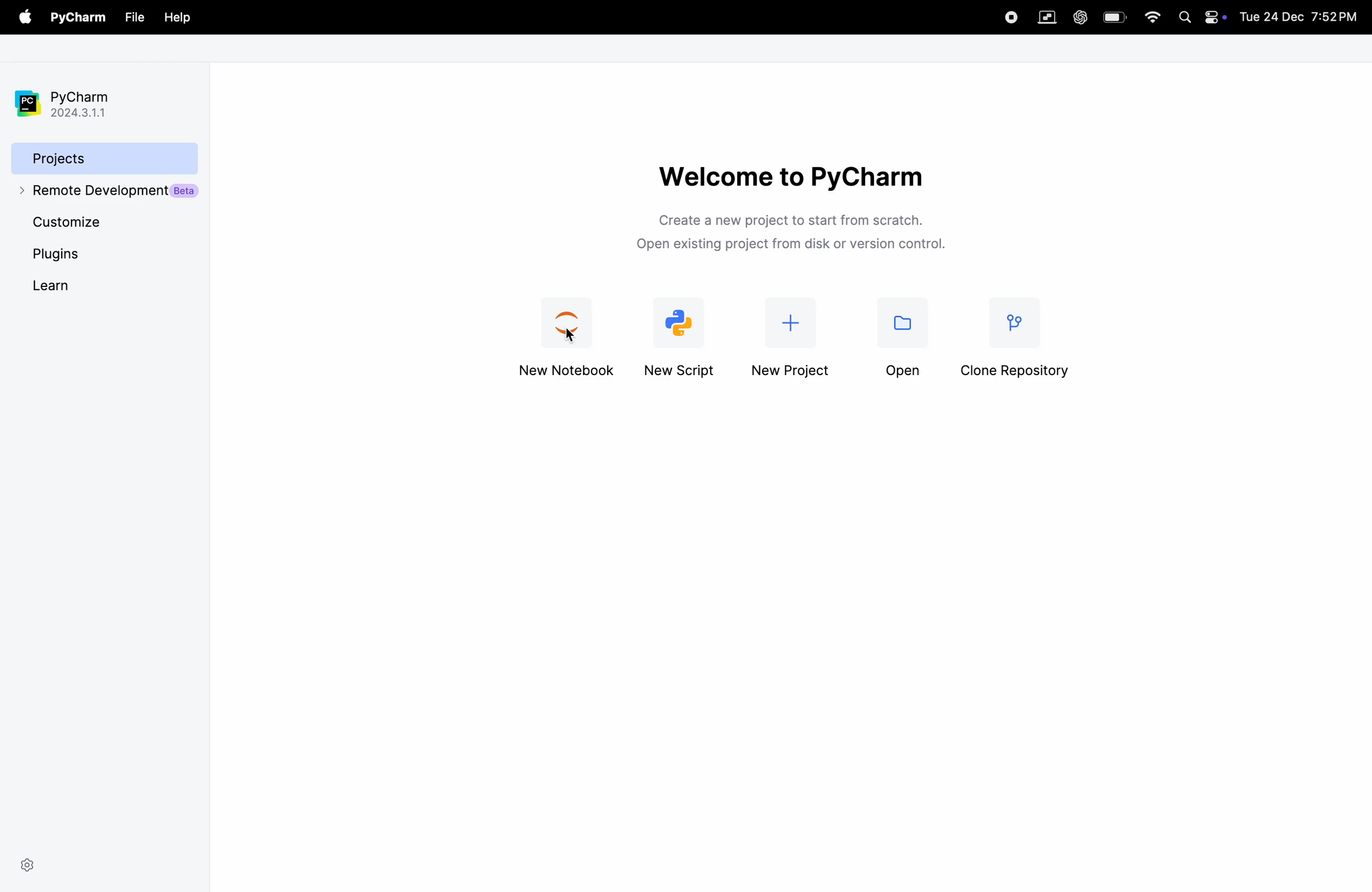 The image size is (1372, 892). I want to click on new project, so click(793, 332).